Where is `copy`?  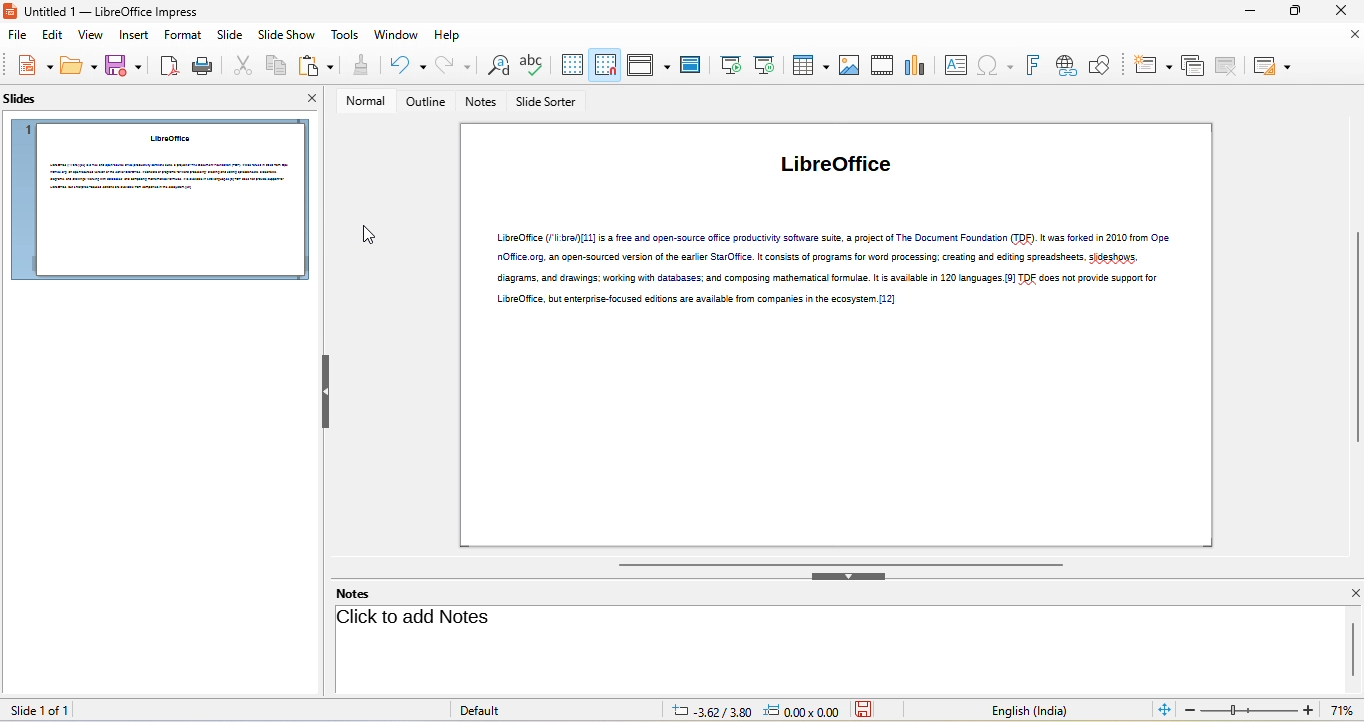
copy is located at coordinates (273, 64).